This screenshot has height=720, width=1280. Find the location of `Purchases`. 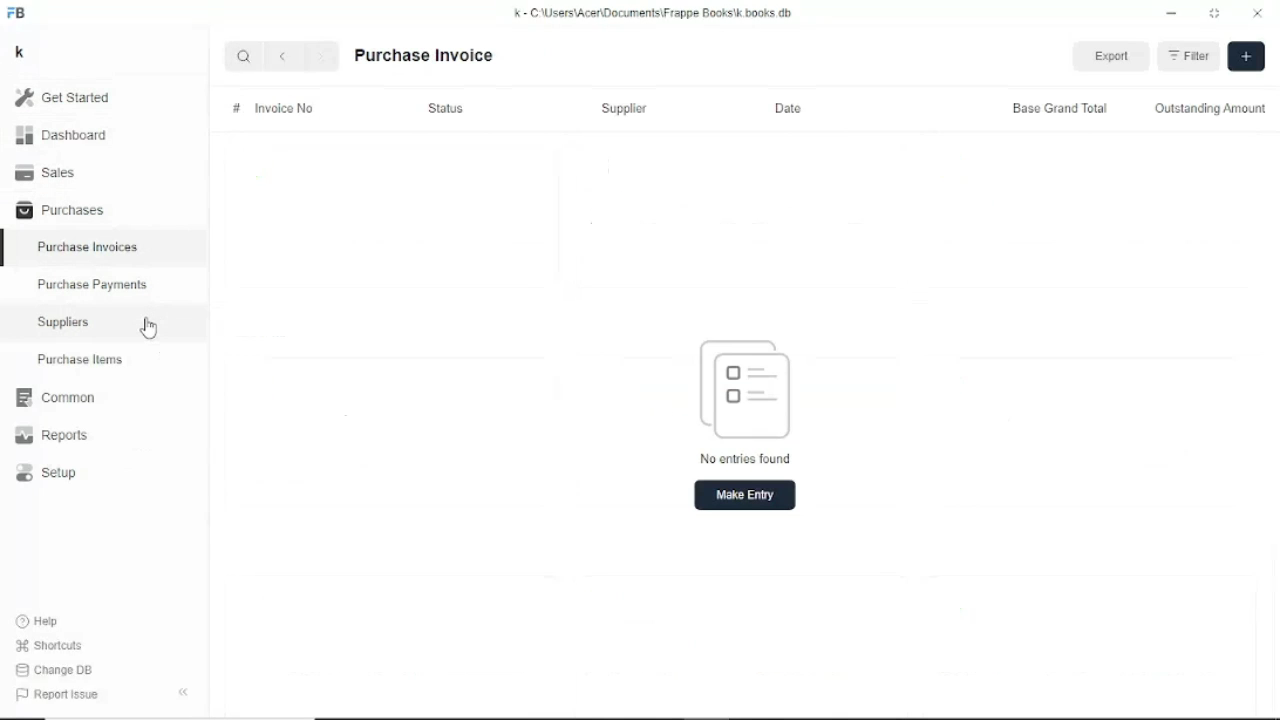

Purchases is located at coordinates (58, 211).